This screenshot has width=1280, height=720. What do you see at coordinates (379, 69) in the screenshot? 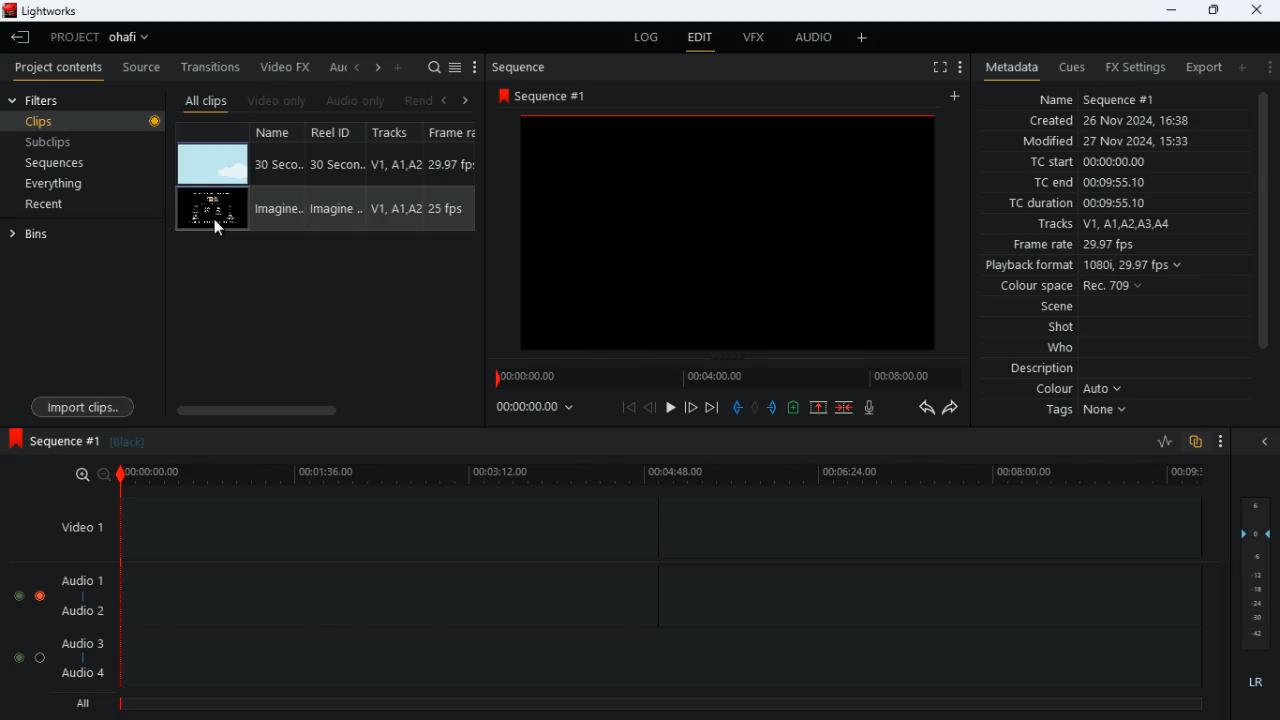
I see `right` at bounding box center [379, 69].